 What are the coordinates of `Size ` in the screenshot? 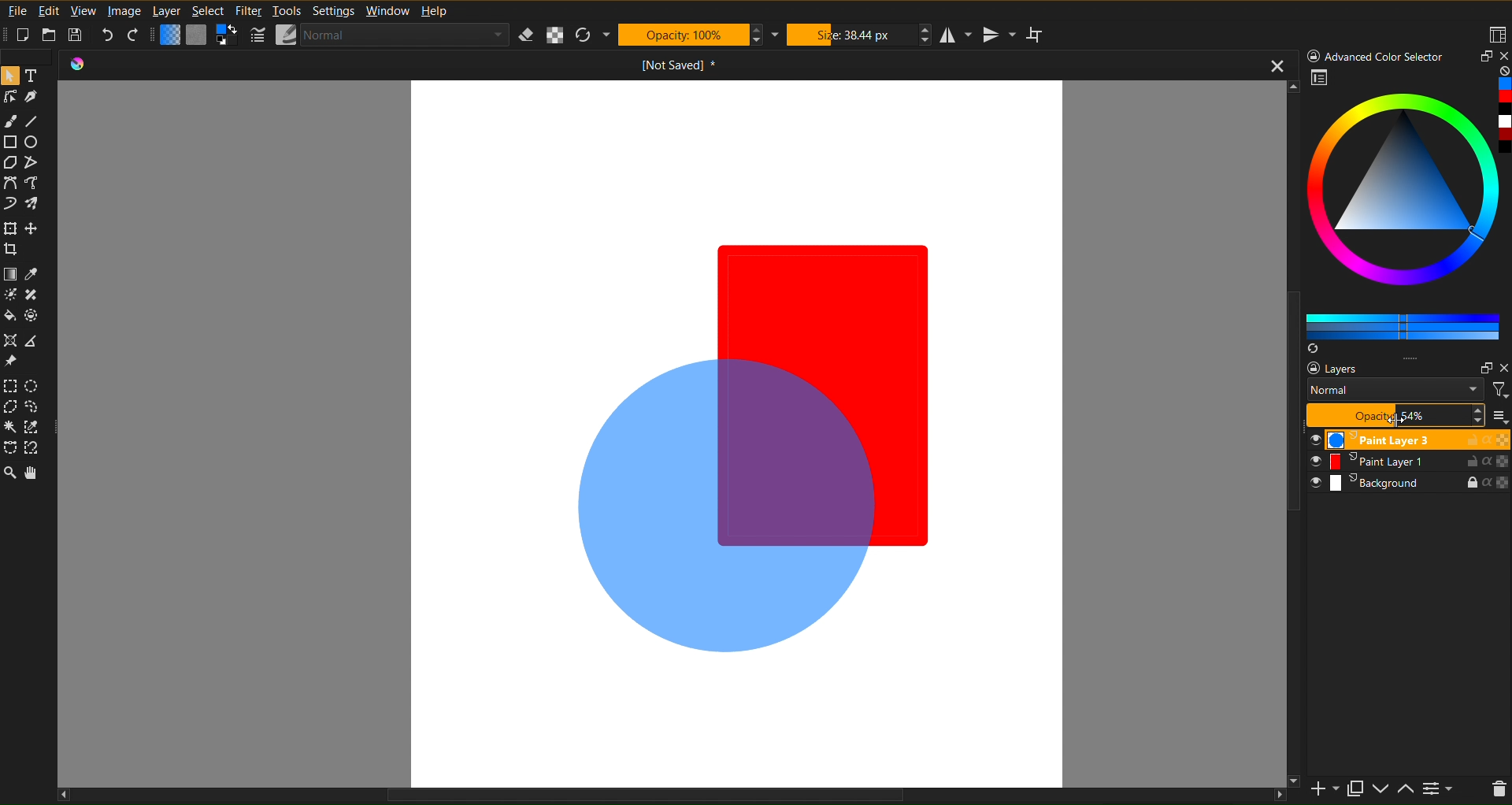 It's located at (852, 35).